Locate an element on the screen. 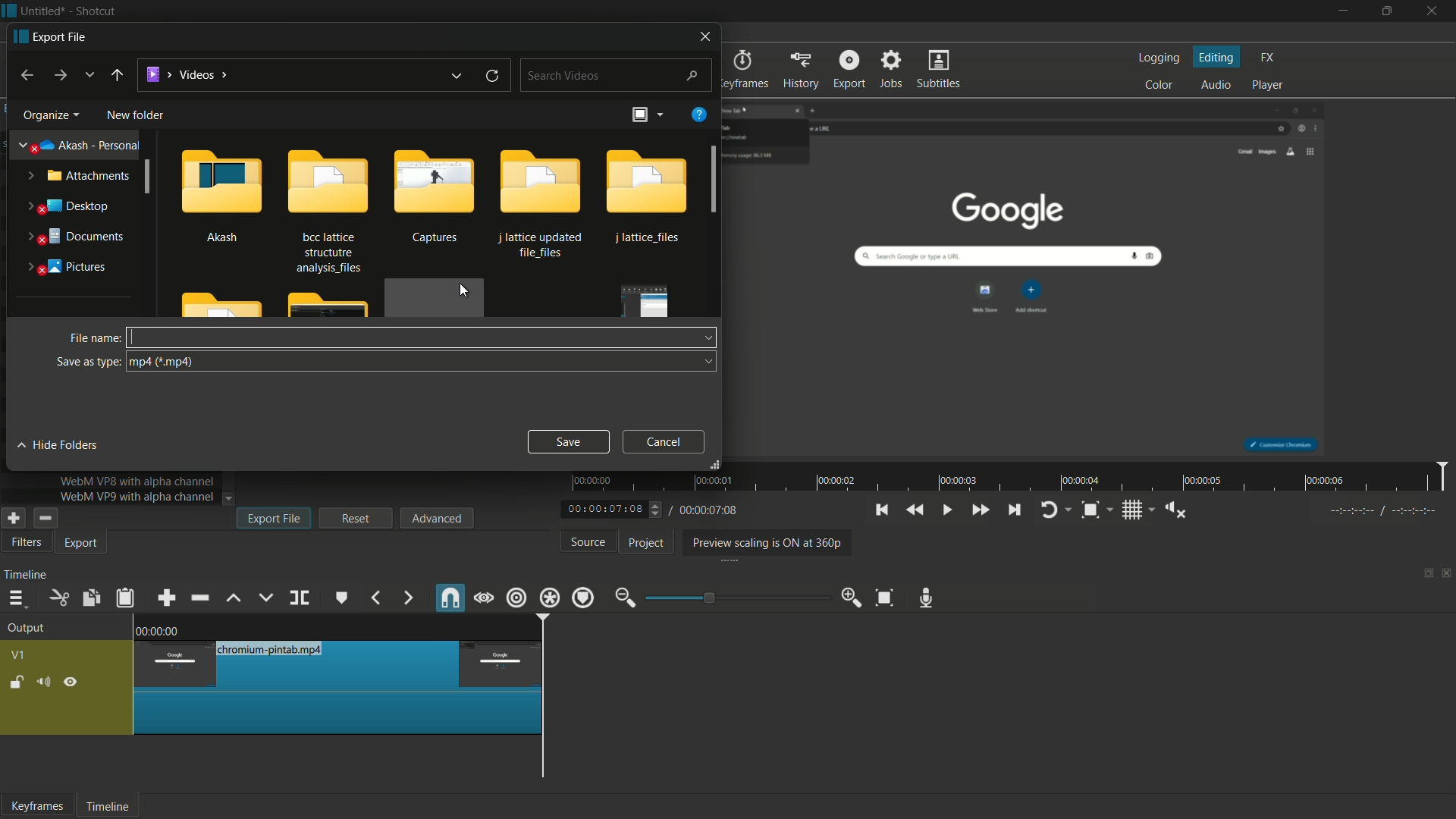 The height and width of the screenshot is (819, 1456). zoom in is located at coordinates (852, 596).